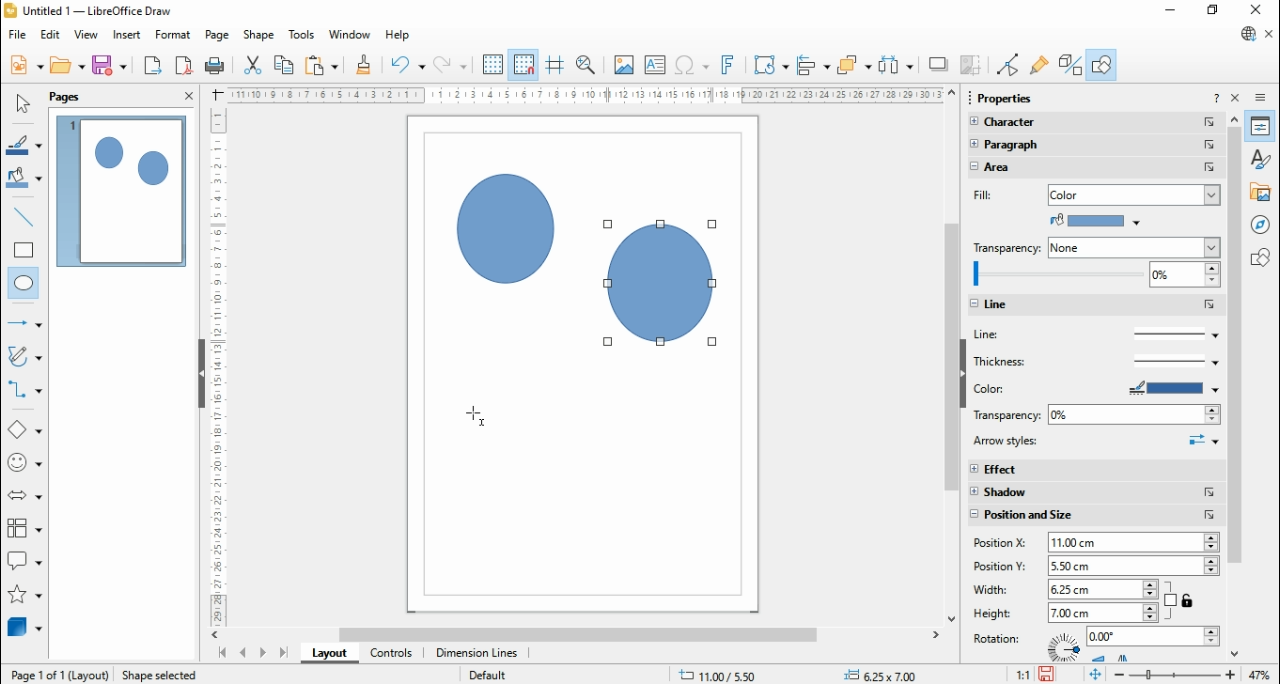  I want to click on shadow, so click(1095, 493).